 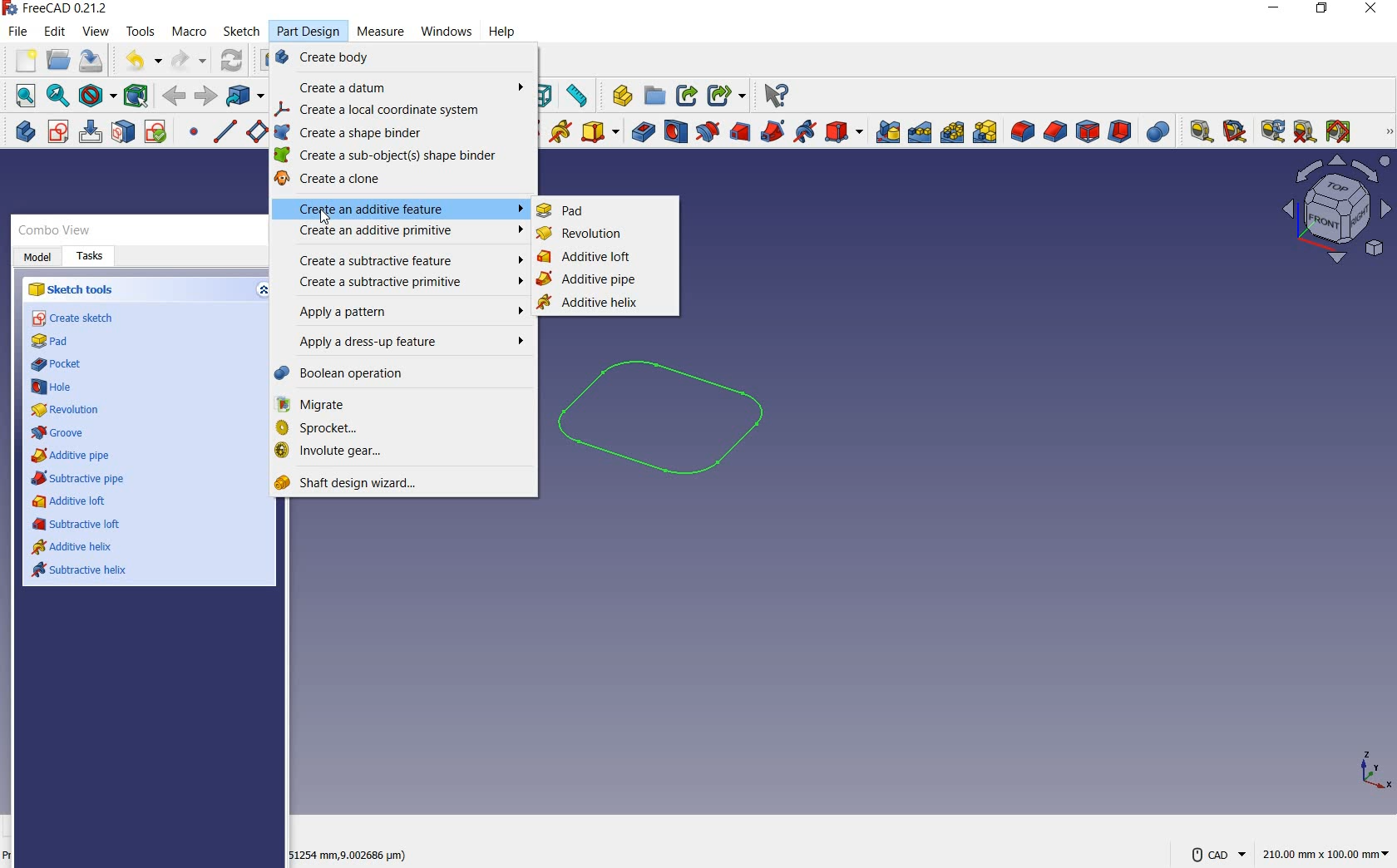 What do you see at coordinates (780, 92) in the screenshot?
I see `Help` at bounding box center [780, 92].